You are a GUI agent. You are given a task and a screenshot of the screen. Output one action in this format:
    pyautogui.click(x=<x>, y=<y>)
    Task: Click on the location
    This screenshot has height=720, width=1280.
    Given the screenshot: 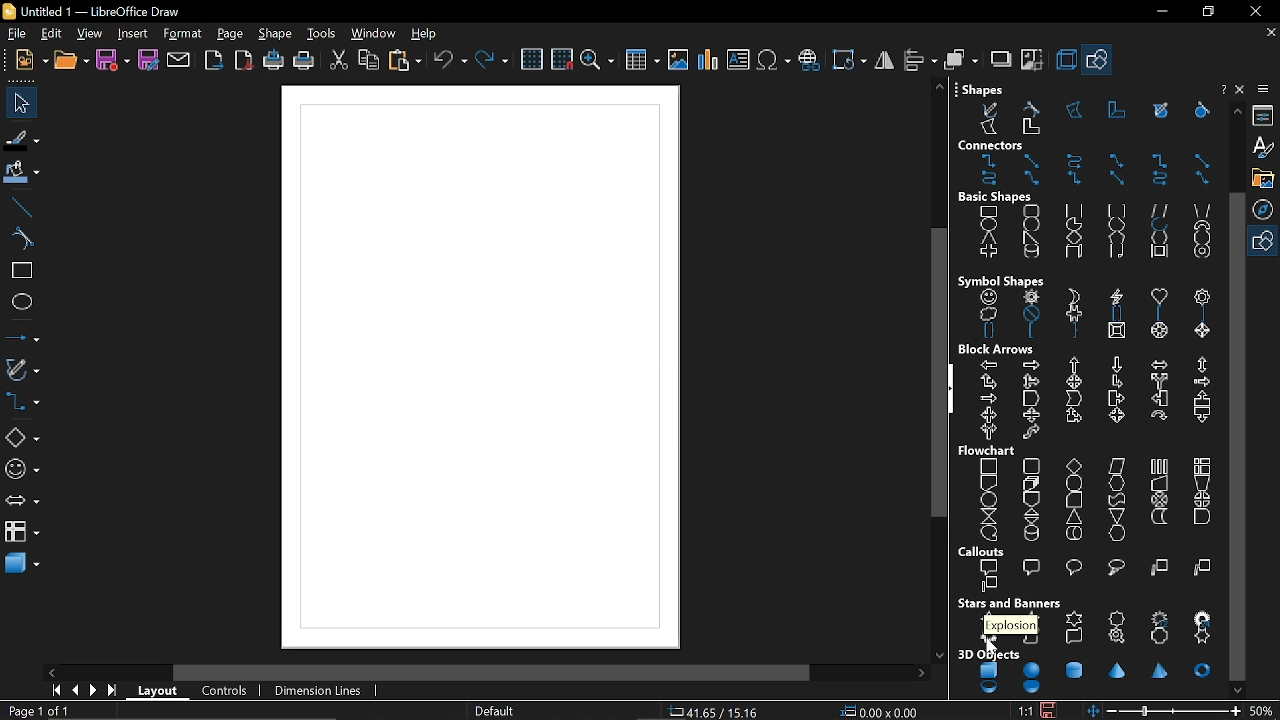 What is the action you would take?
    pyautogui.click(x=882, y=712)
    